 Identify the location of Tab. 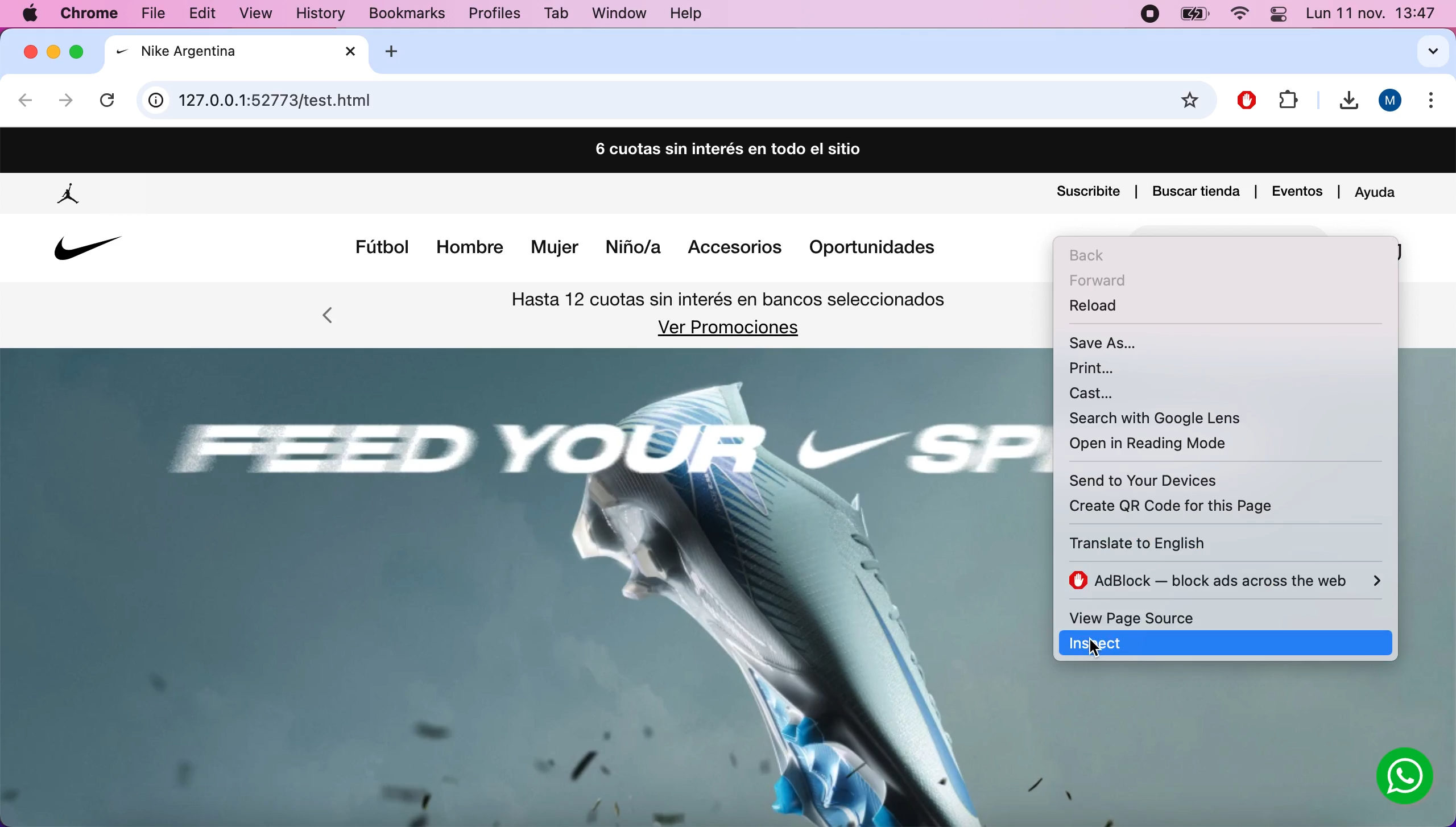
(558, 13).